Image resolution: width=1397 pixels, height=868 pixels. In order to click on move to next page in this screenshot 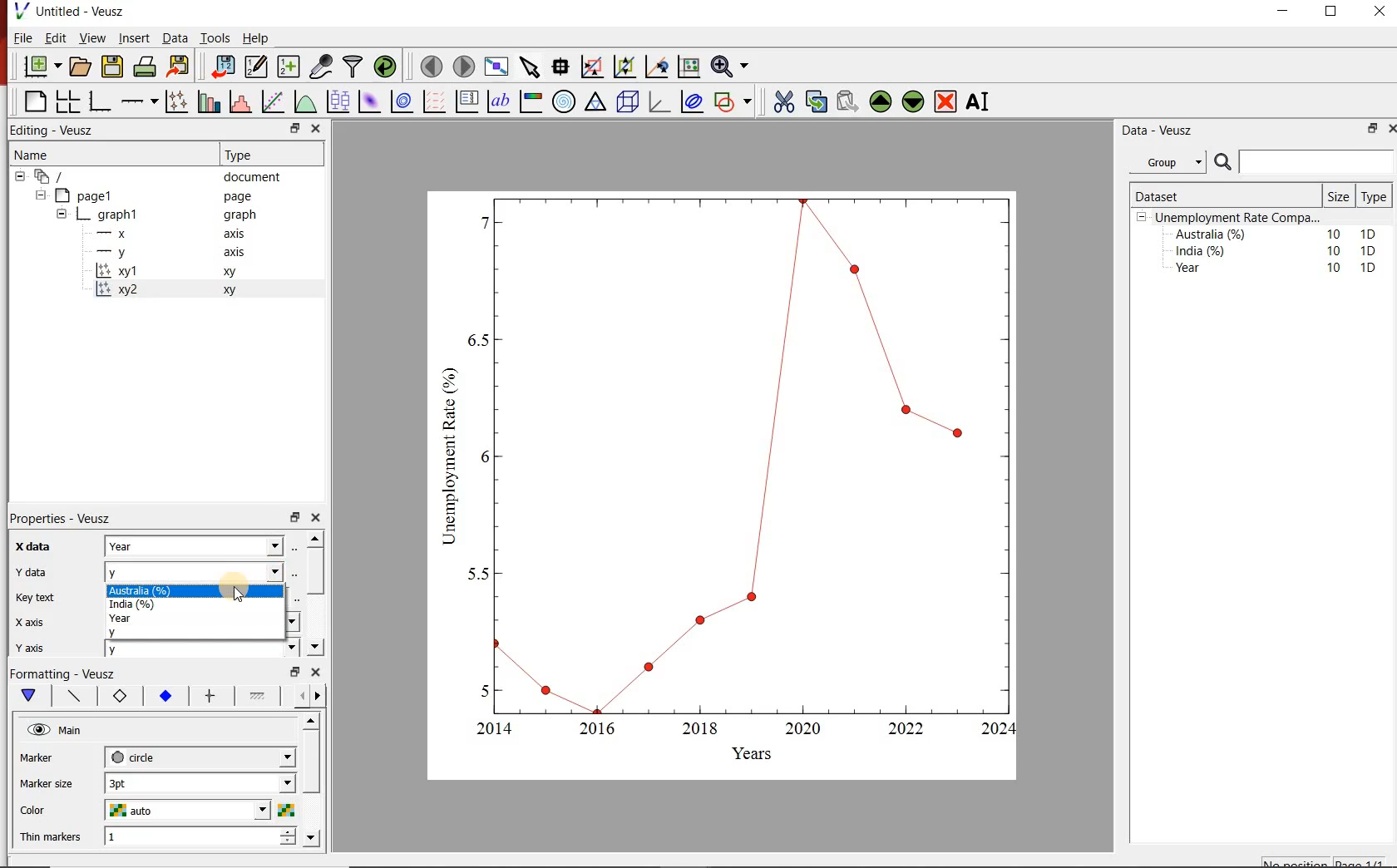, I will do `click(465, 67)`.